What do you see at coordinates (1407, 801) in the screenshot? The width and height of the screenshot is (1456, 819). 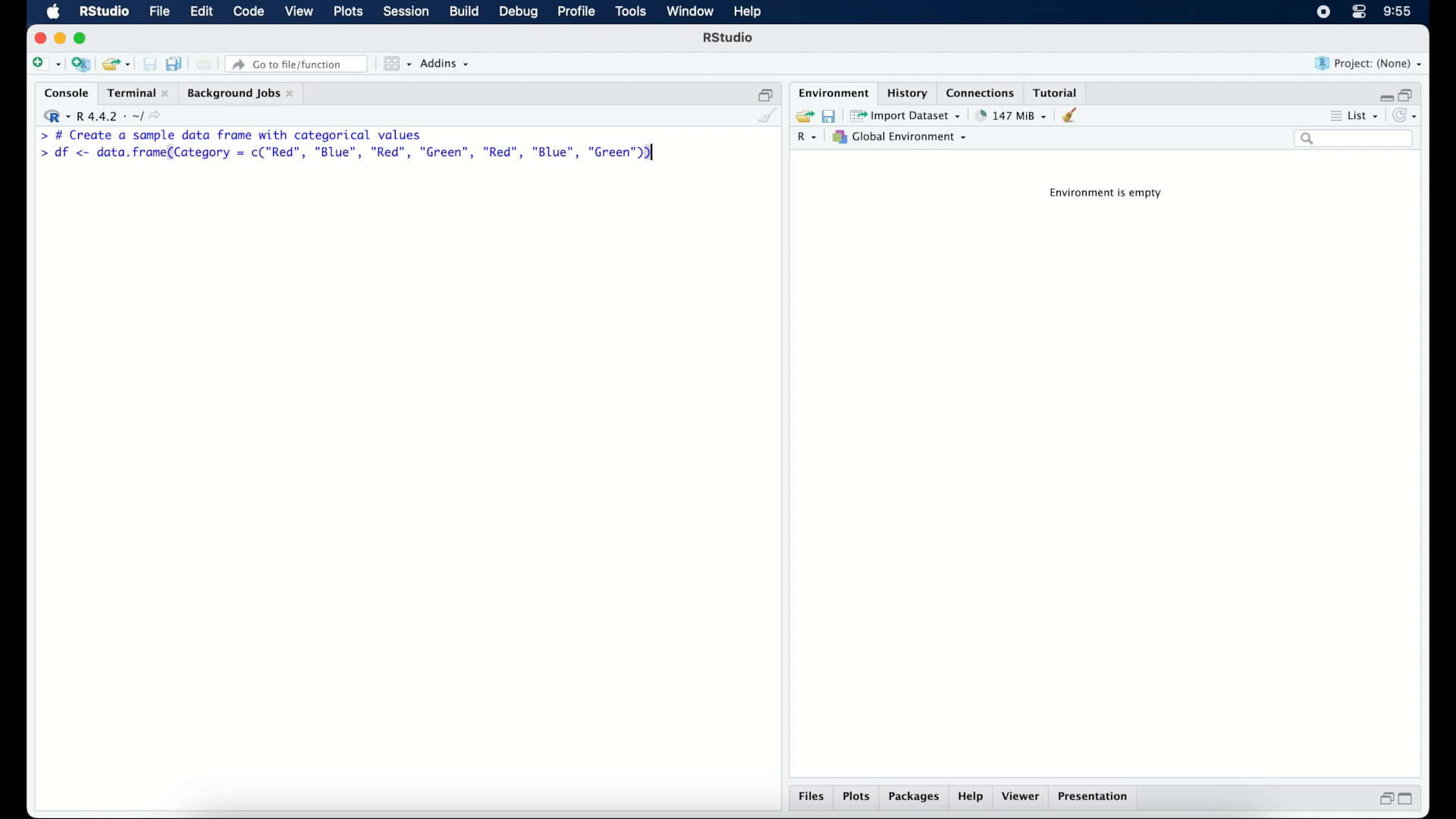 I see `maximize` at bounding box center [1407, 801].